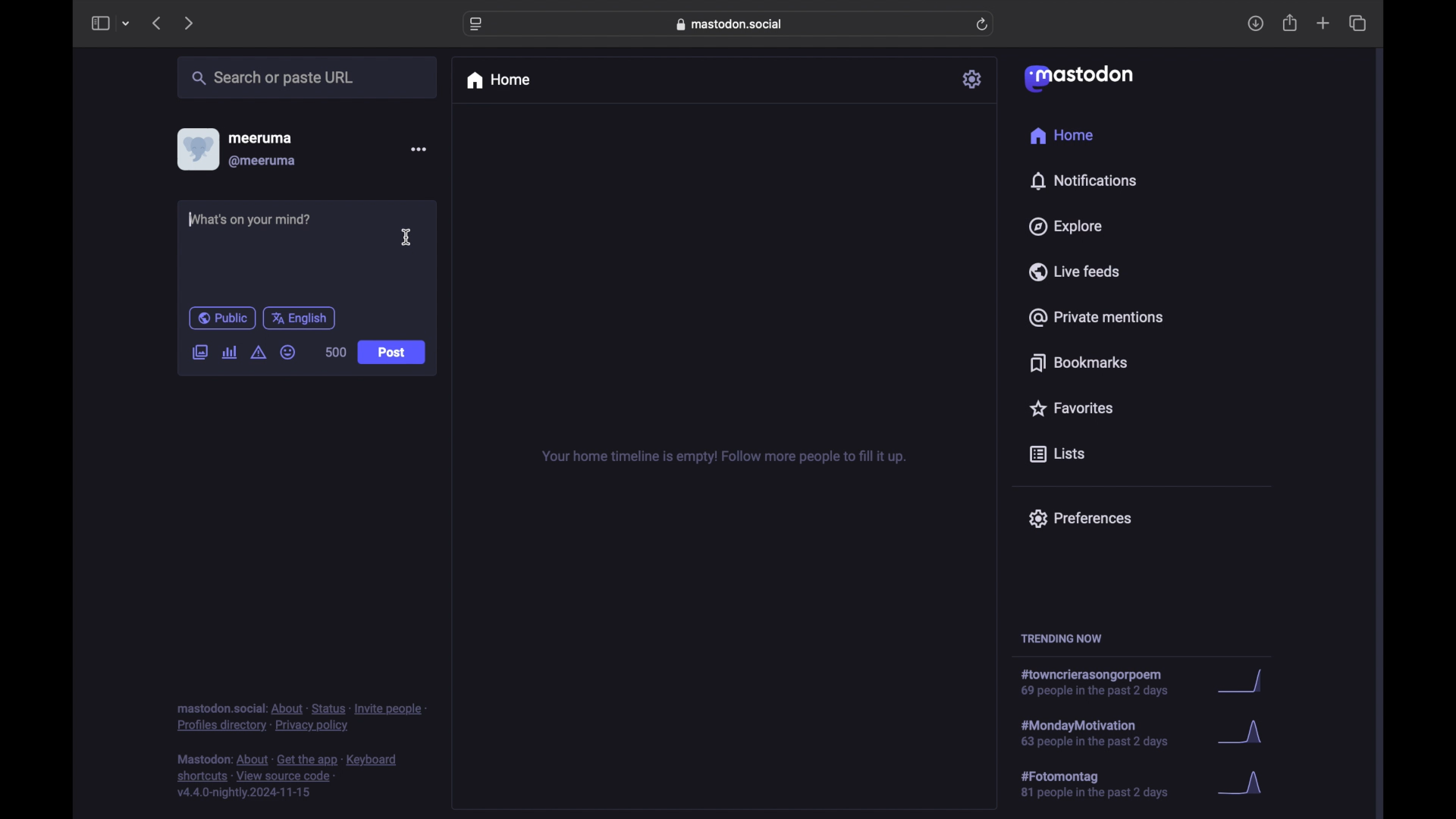 This screenshot has height=819, width=1456. What do you see at coordinates (335, 352) in the screenshot?
I see `500` at bounding box center [335, 352].